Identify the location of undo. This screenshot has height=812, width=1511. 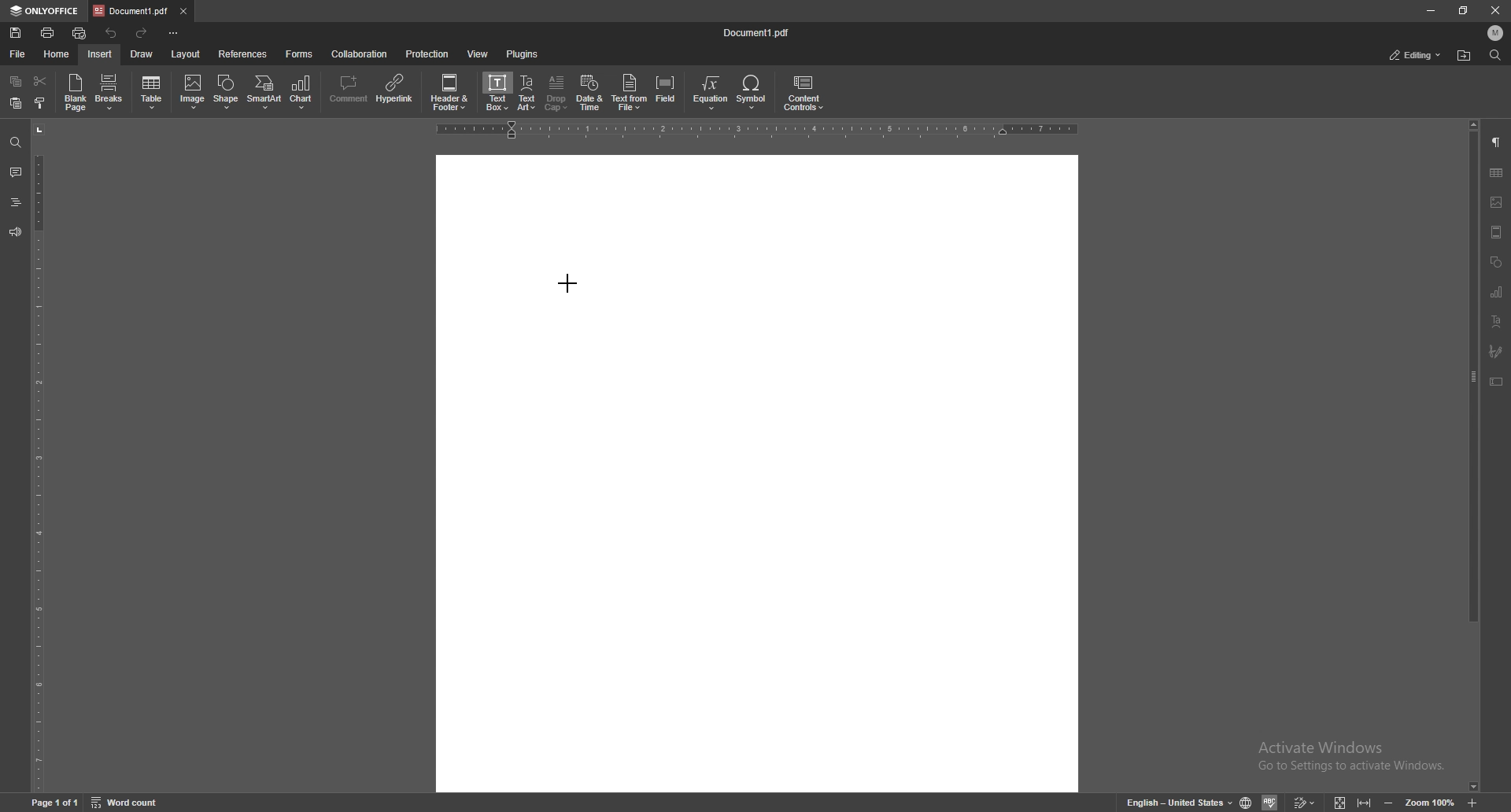
(113, 33).